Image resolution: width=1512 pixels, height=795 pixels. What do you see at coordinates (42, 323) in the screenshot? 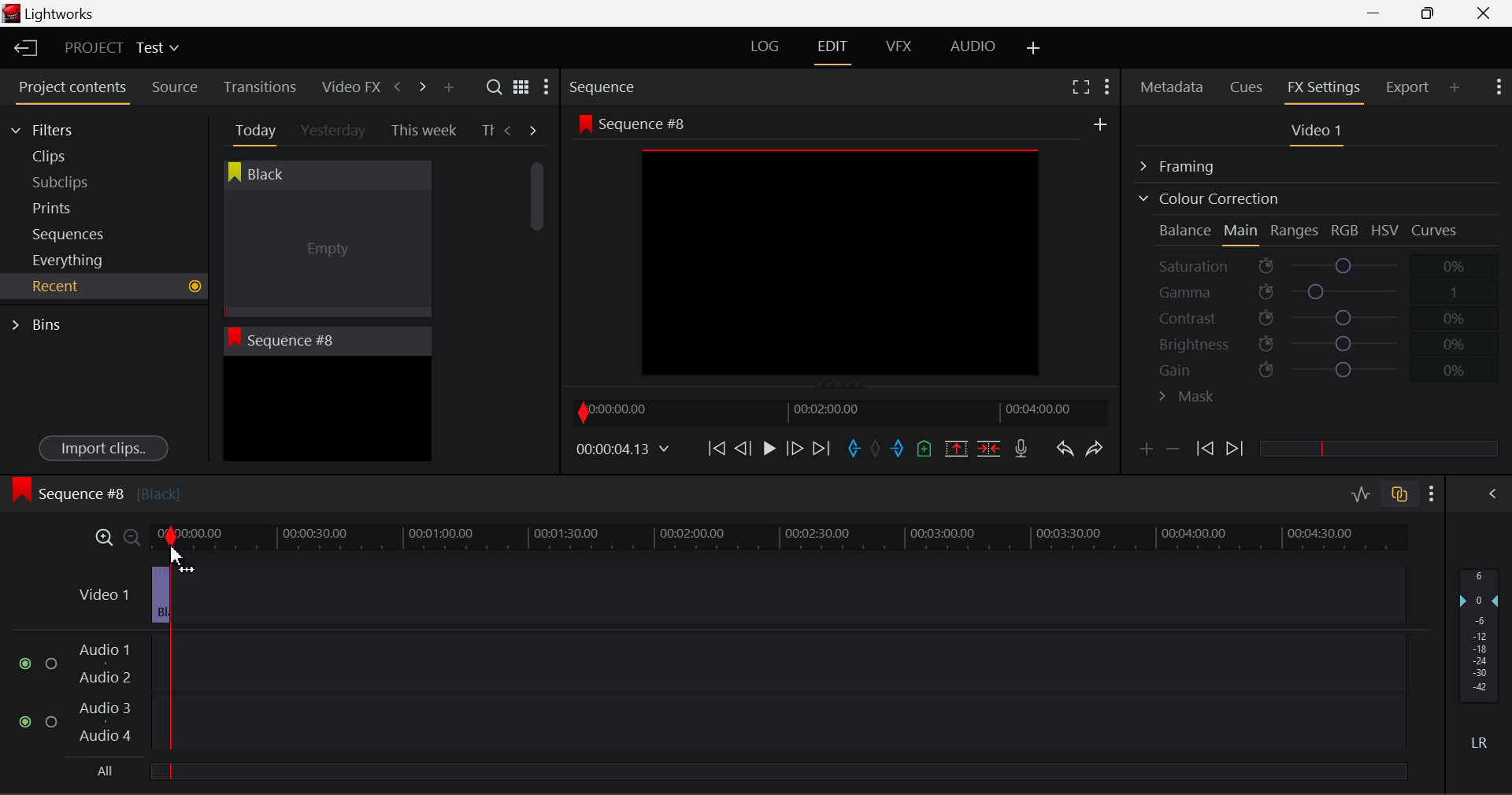
I see `Bins` at bounding box center [42, 323].